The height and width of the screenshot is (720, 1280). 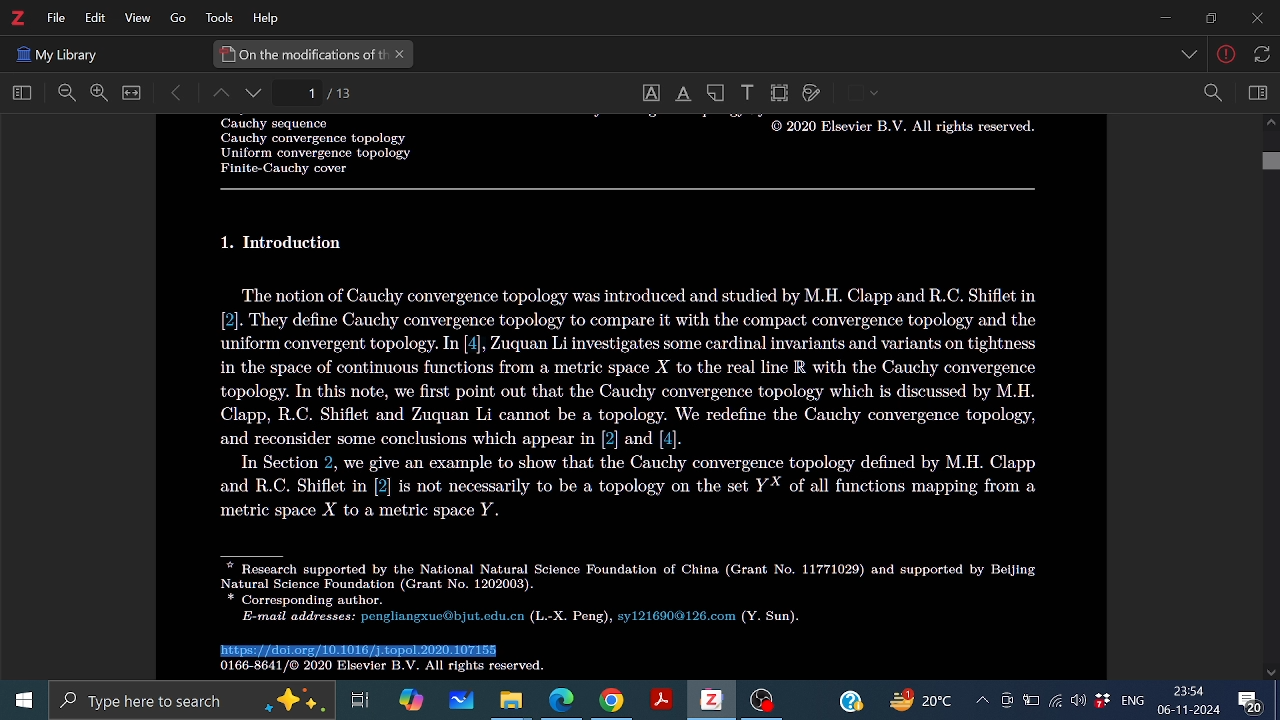 What do you see at coordinates (1079, 700) in the screenshot?
I see `Speaker/Headphone` at bounding box center [1079, 700].